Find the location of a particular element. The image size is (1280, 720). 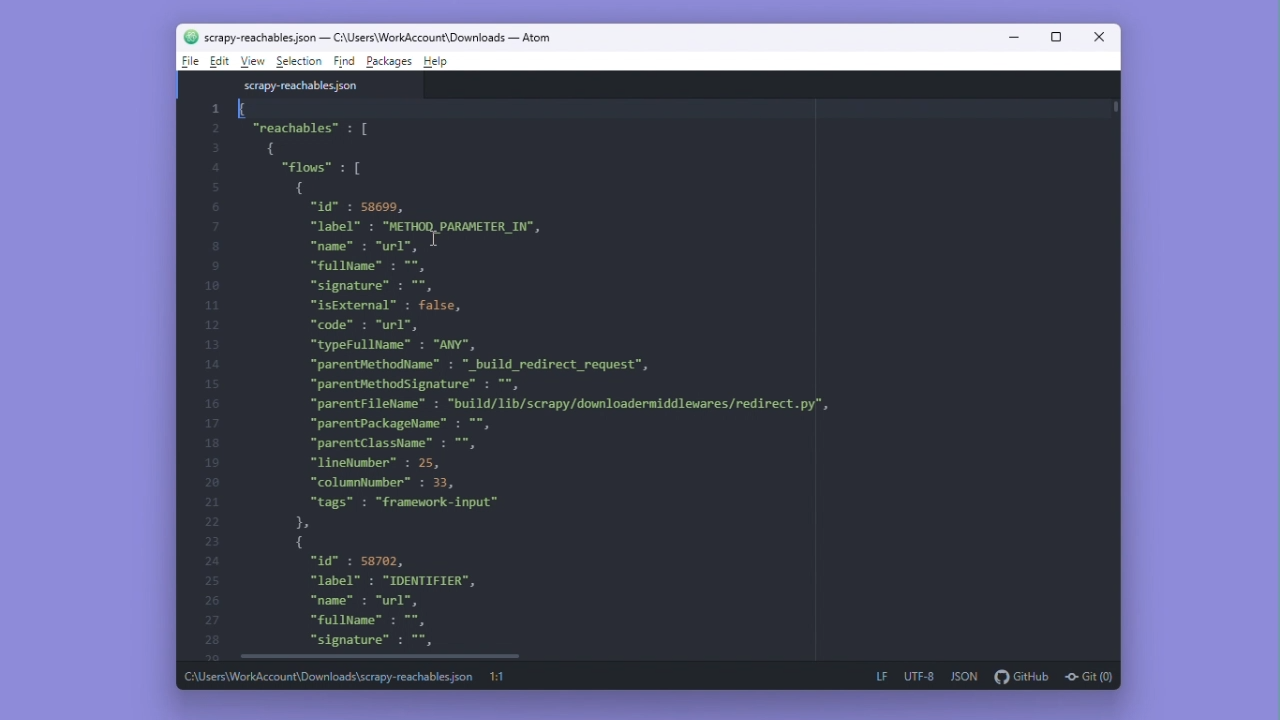

Close is located at coordinates (1094, 38).